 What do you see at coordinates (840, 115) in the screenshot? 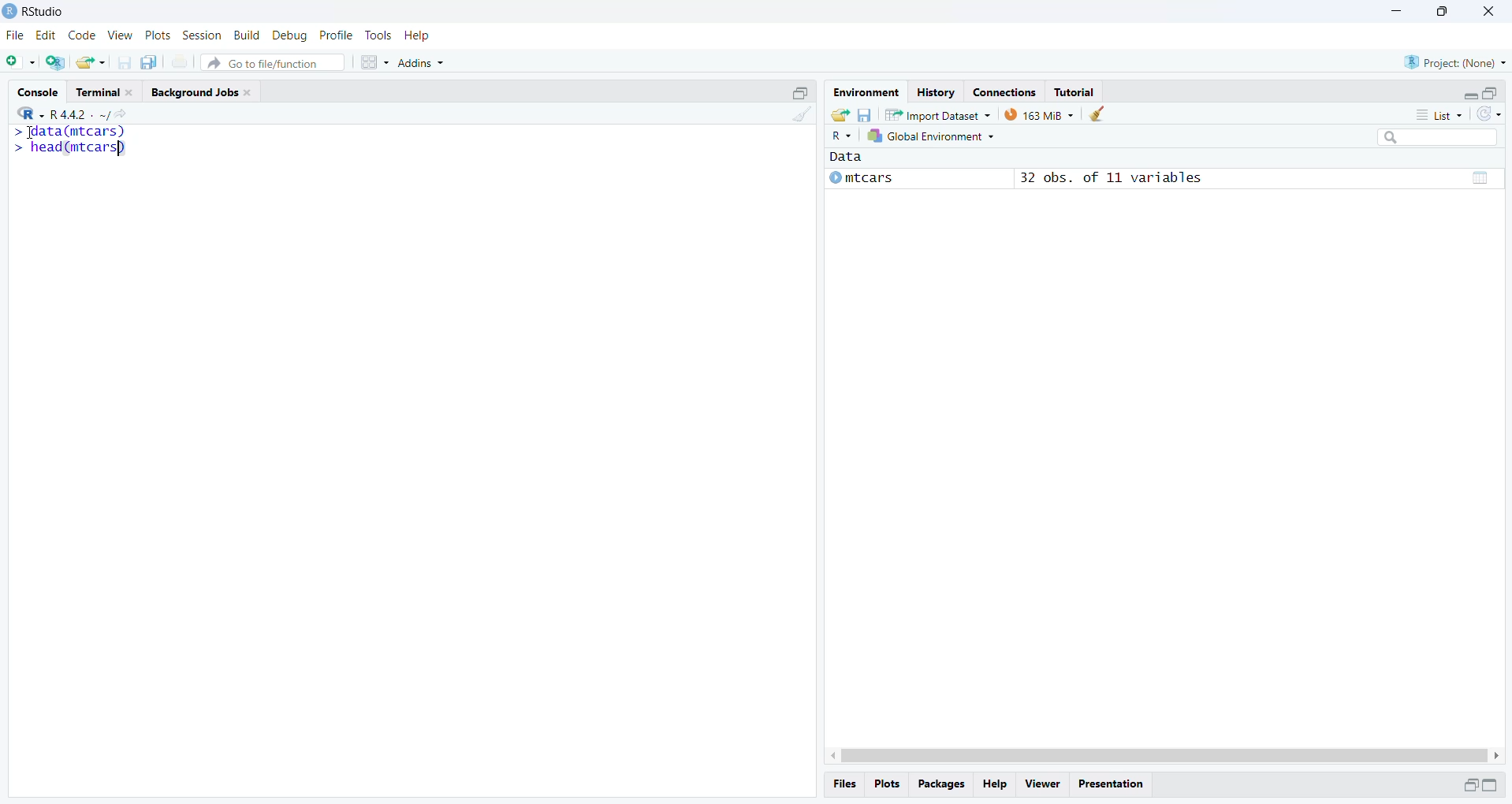
I see `share` at bounding box center [840, 115].